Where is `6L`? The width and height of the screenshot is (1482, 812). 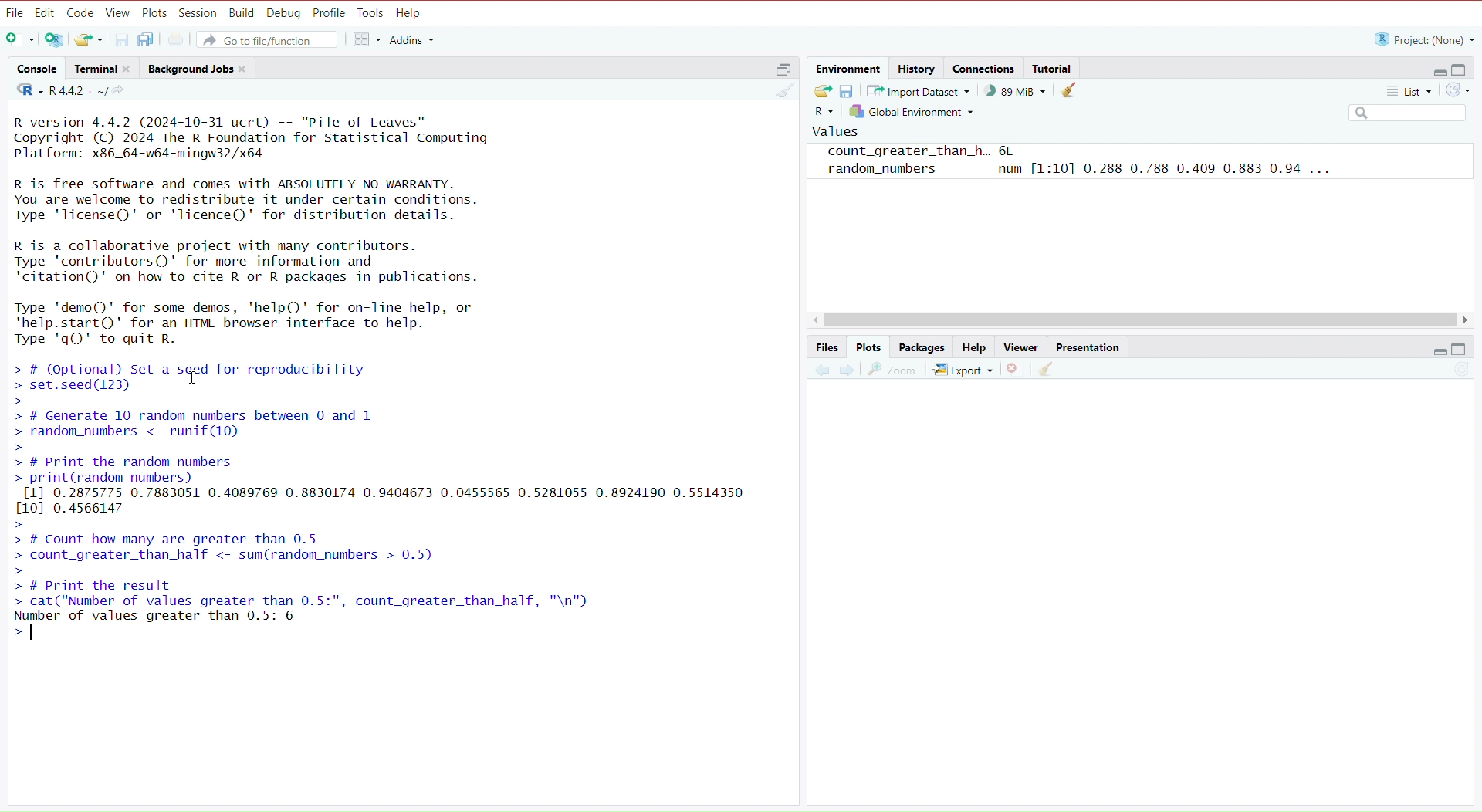 6L is located at coordinates (1007, 151).